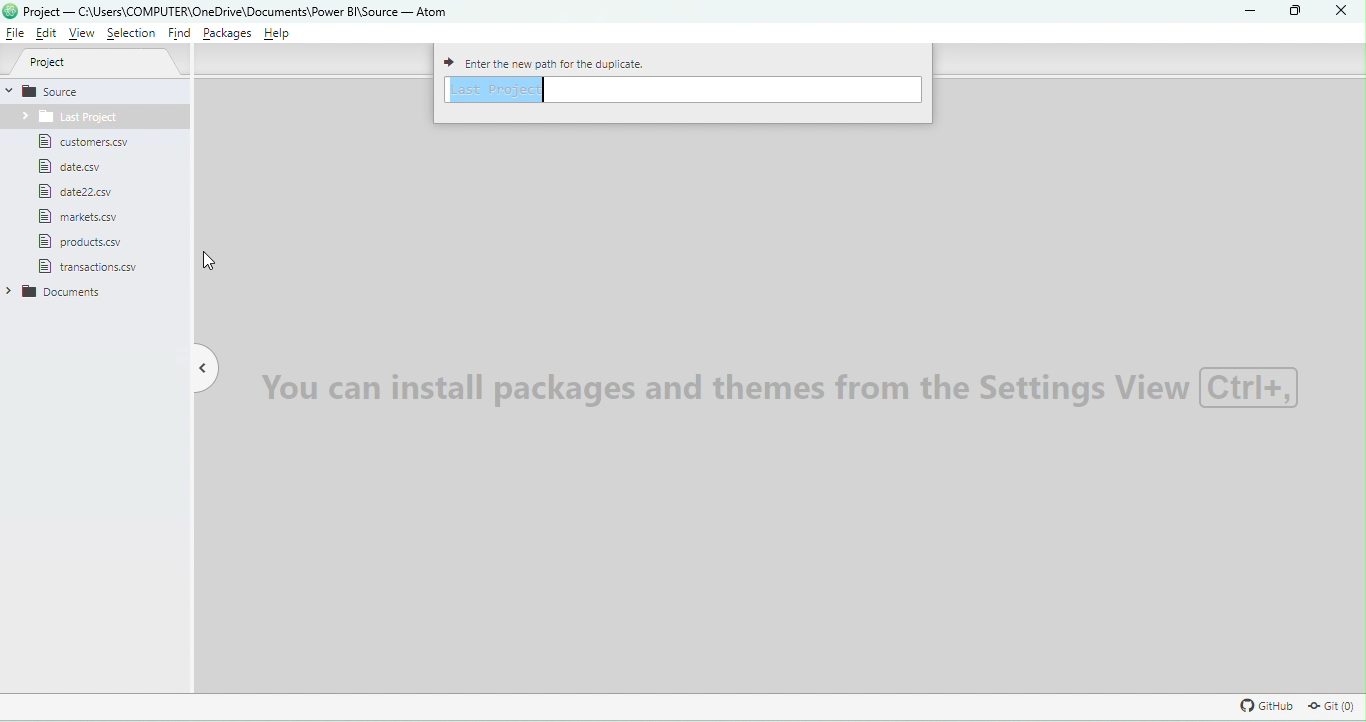 The width and height of the screenshot is (1366, 722). I want to click on logo, so click(11, 13).